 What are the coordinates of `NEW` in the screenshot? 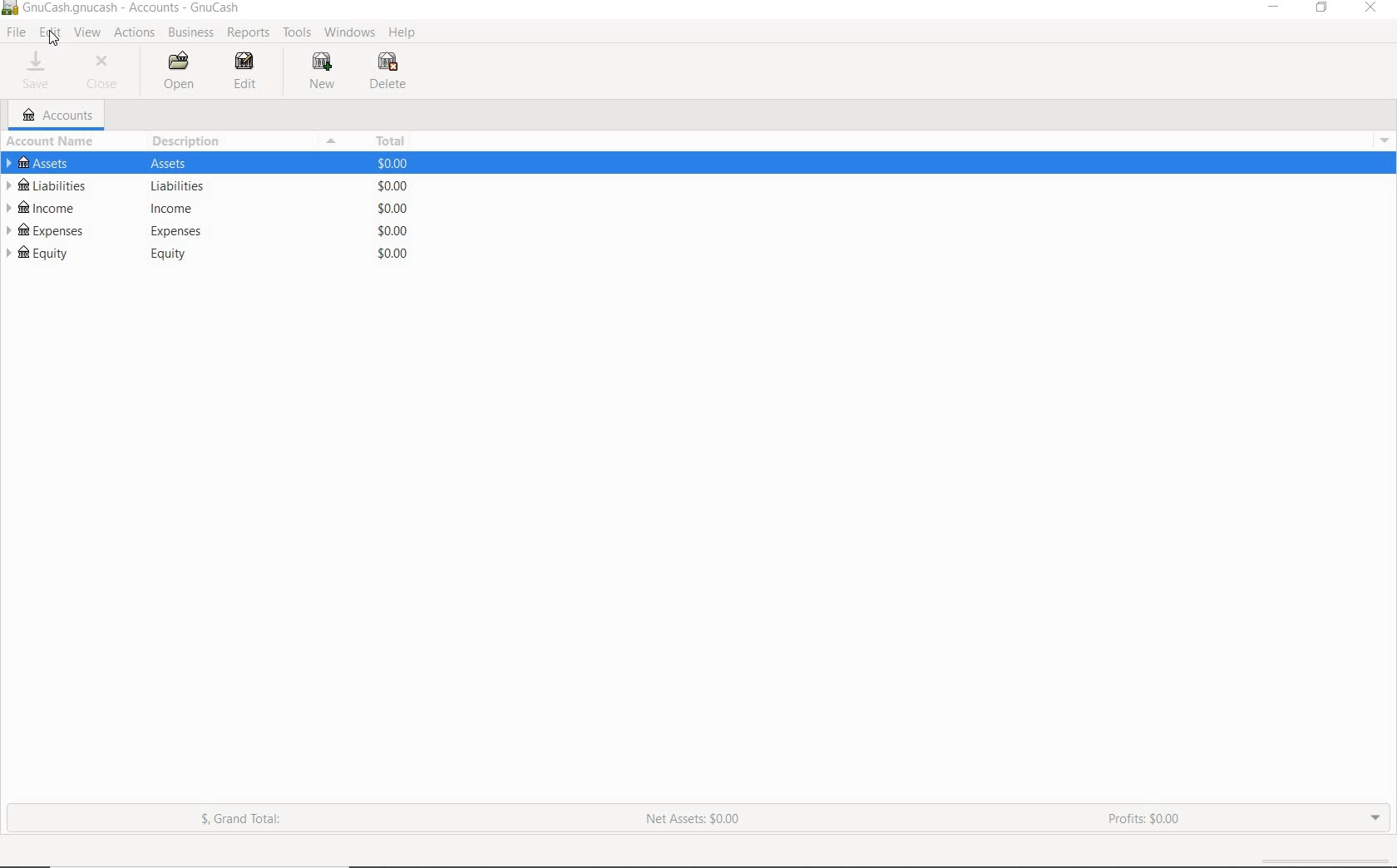 It's located at (326, 72).